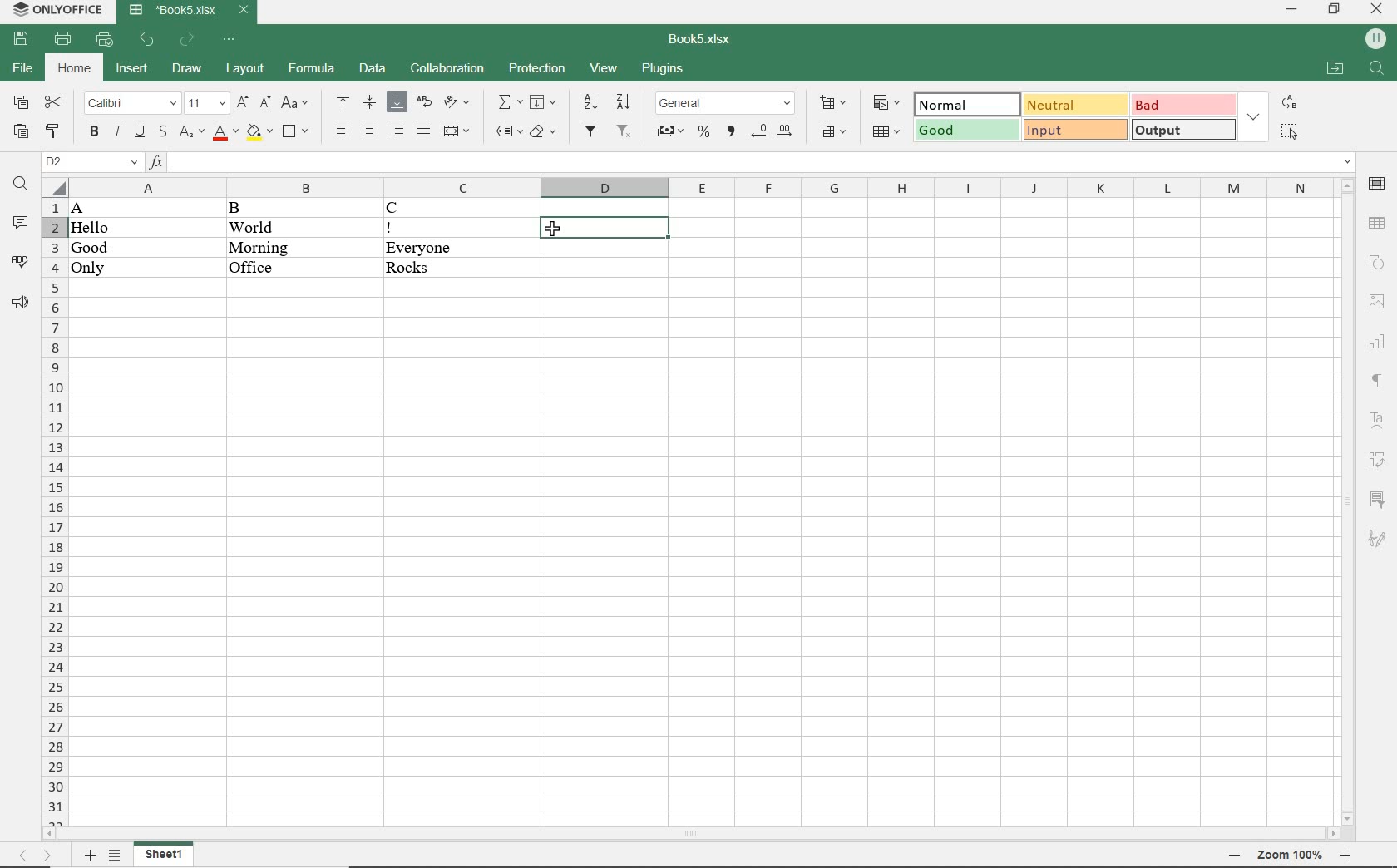 Image resolution: width=1397 pixels, height=868 pixels. What do you see at coordinates (55, 102) in the screenshot?
I see `cut` at bounding box center [55, 102].